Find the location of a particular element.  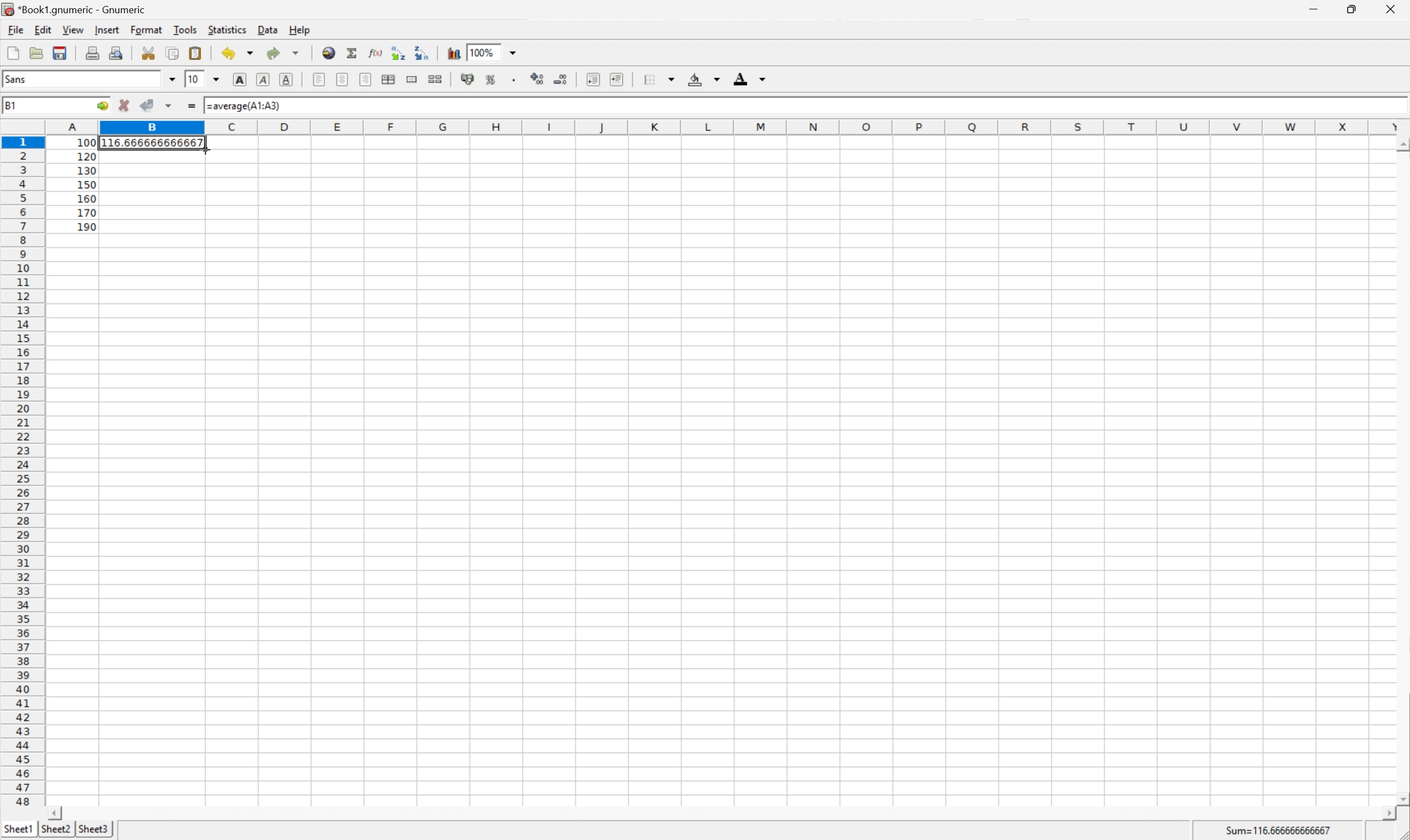

Statistics is located at coordinates (228, 29).